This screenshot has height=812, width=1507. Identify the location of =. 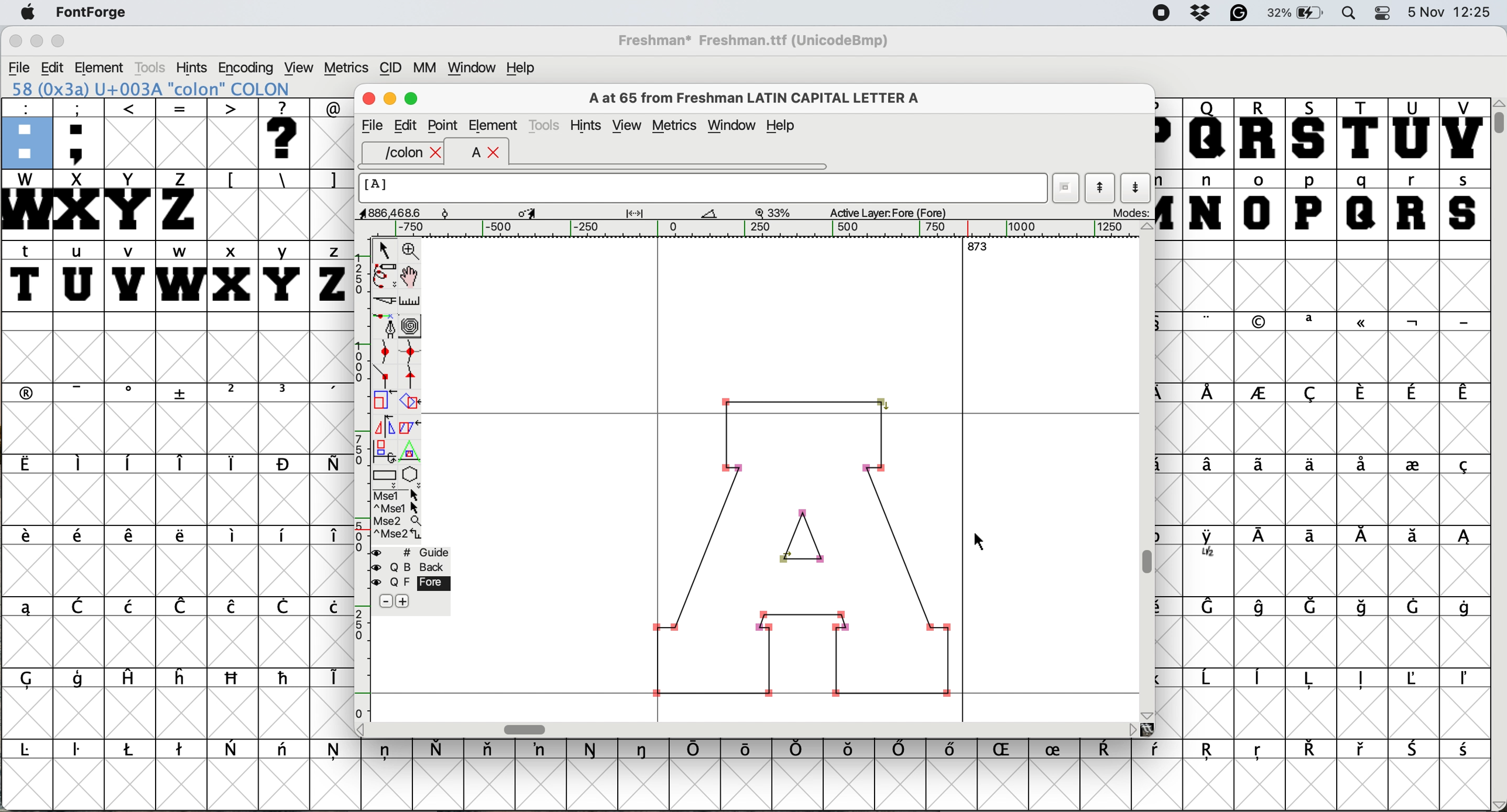
(180, 133).